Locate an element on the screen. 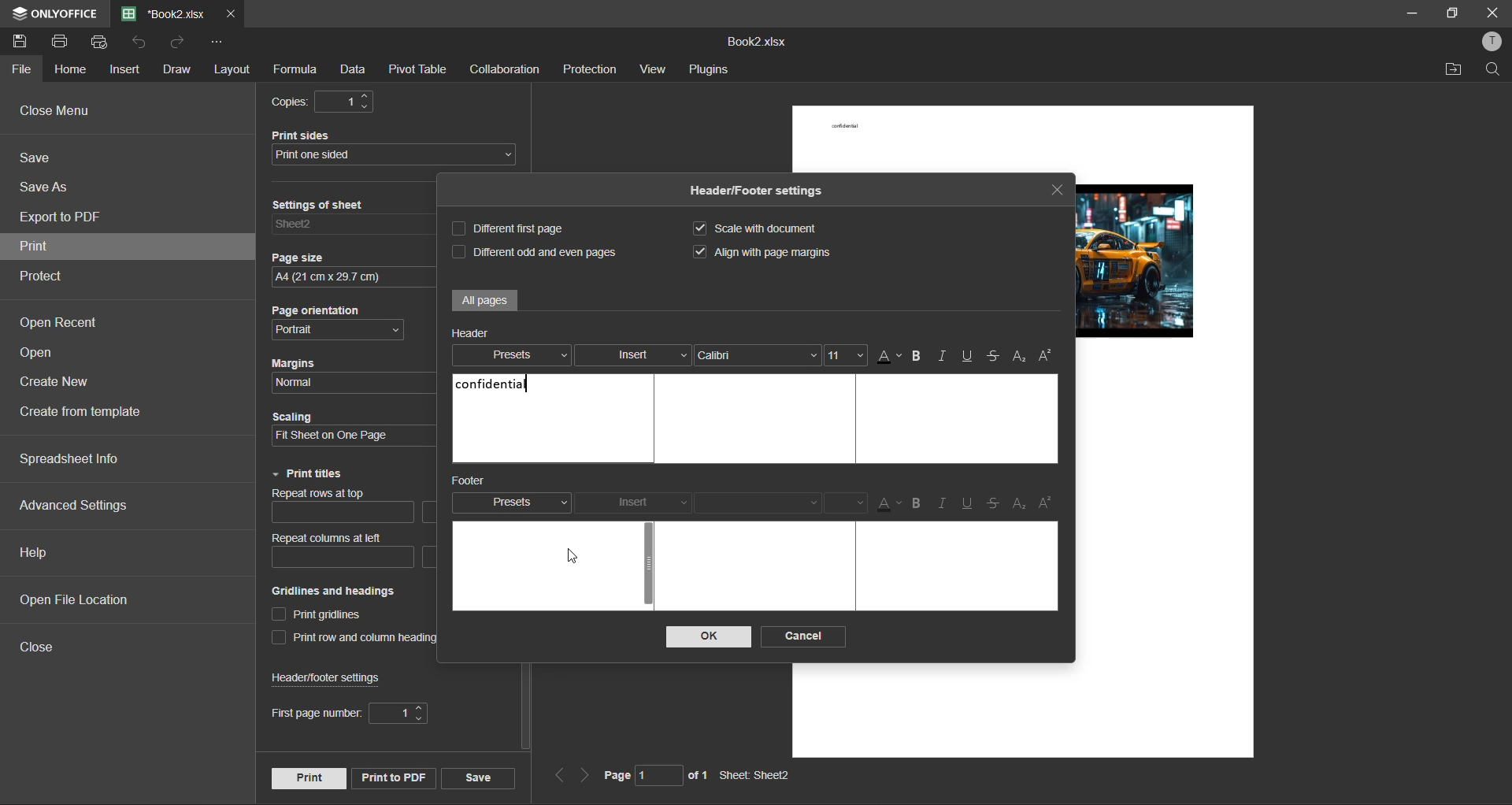 This screenshot has width=1512, height=805. header/footer settings is located at coordinates (328, 676).